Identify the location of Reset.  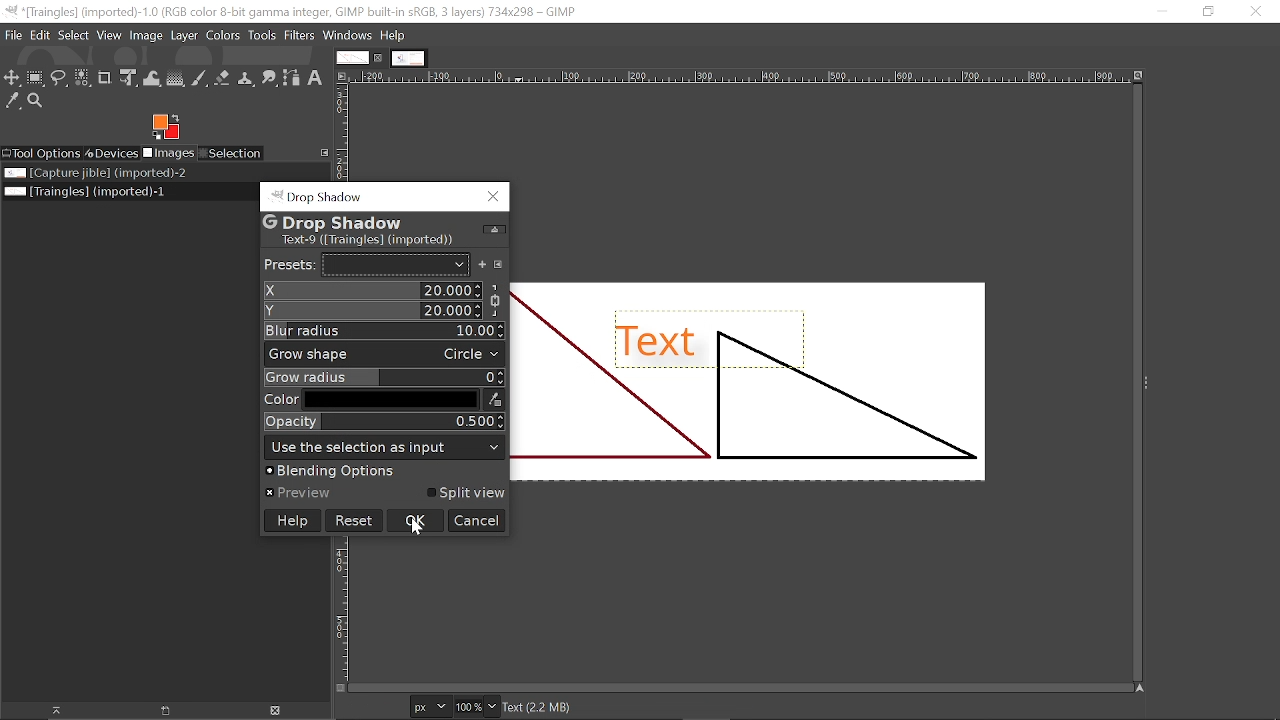
(355, 521).